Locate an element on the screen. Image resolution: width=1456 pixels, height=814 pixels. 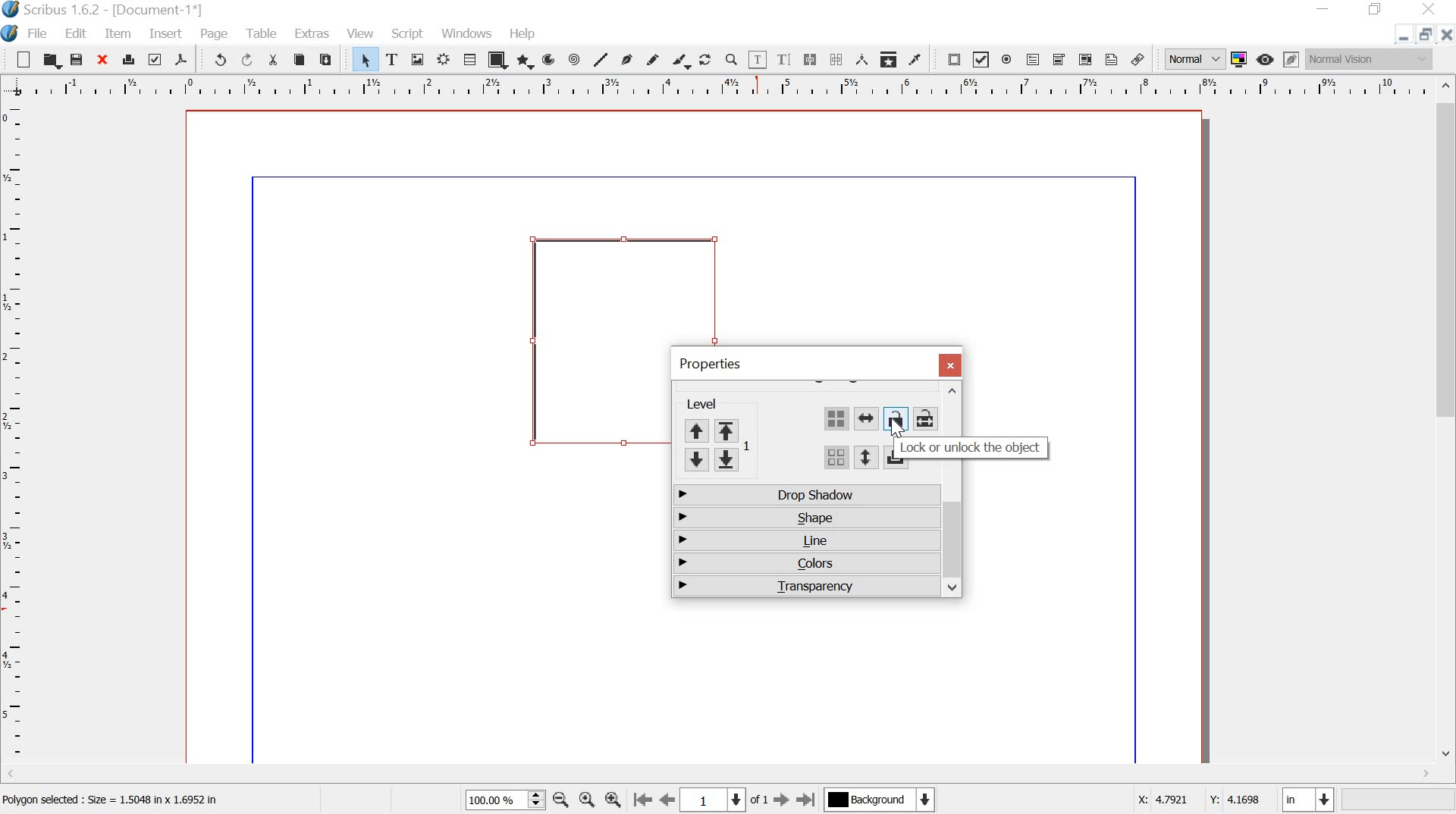
link text frames is located at coordinates (810, 60).